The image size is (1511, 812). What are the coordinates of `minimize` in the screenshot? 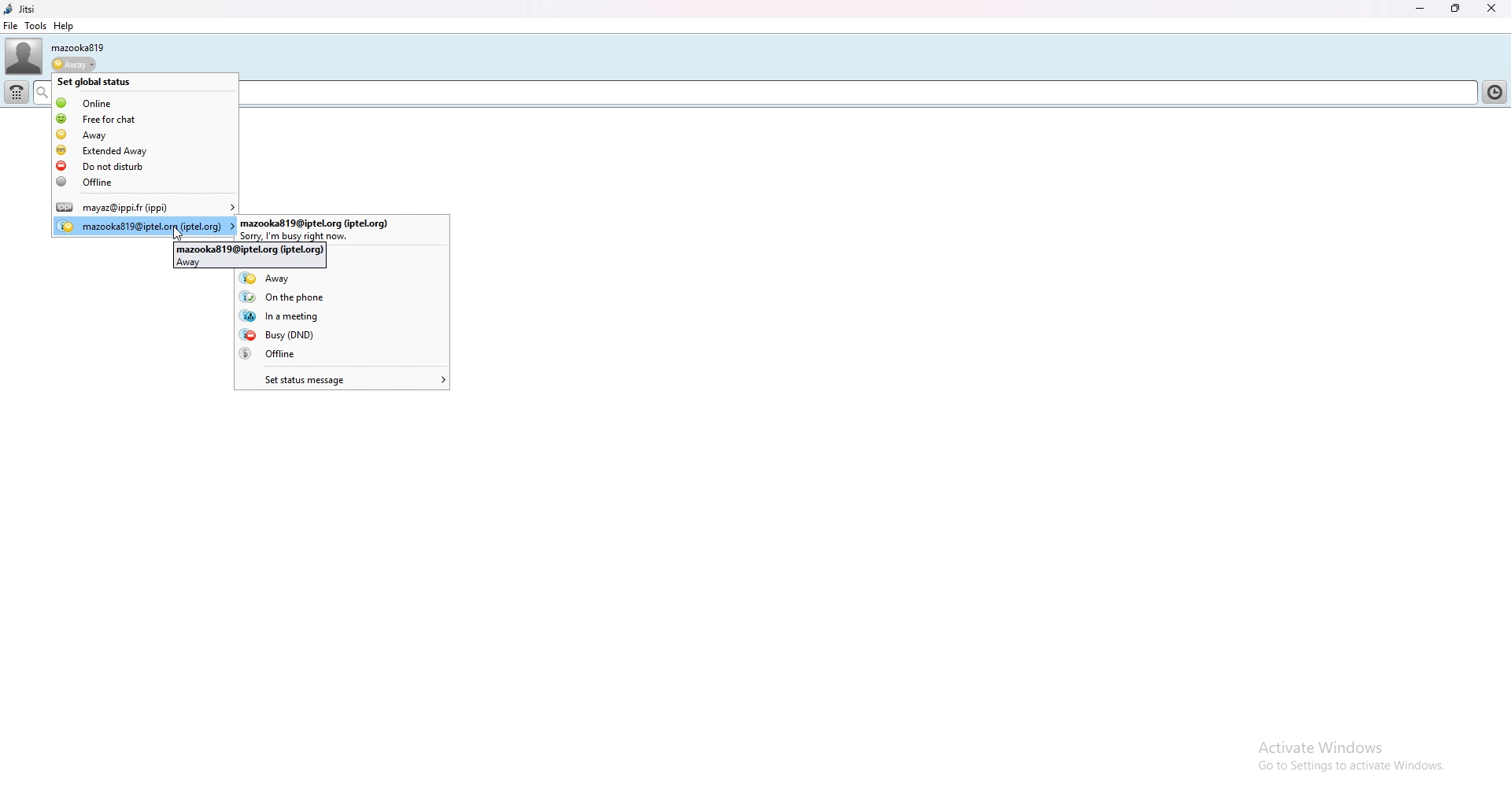 It's located at (1420, 9).